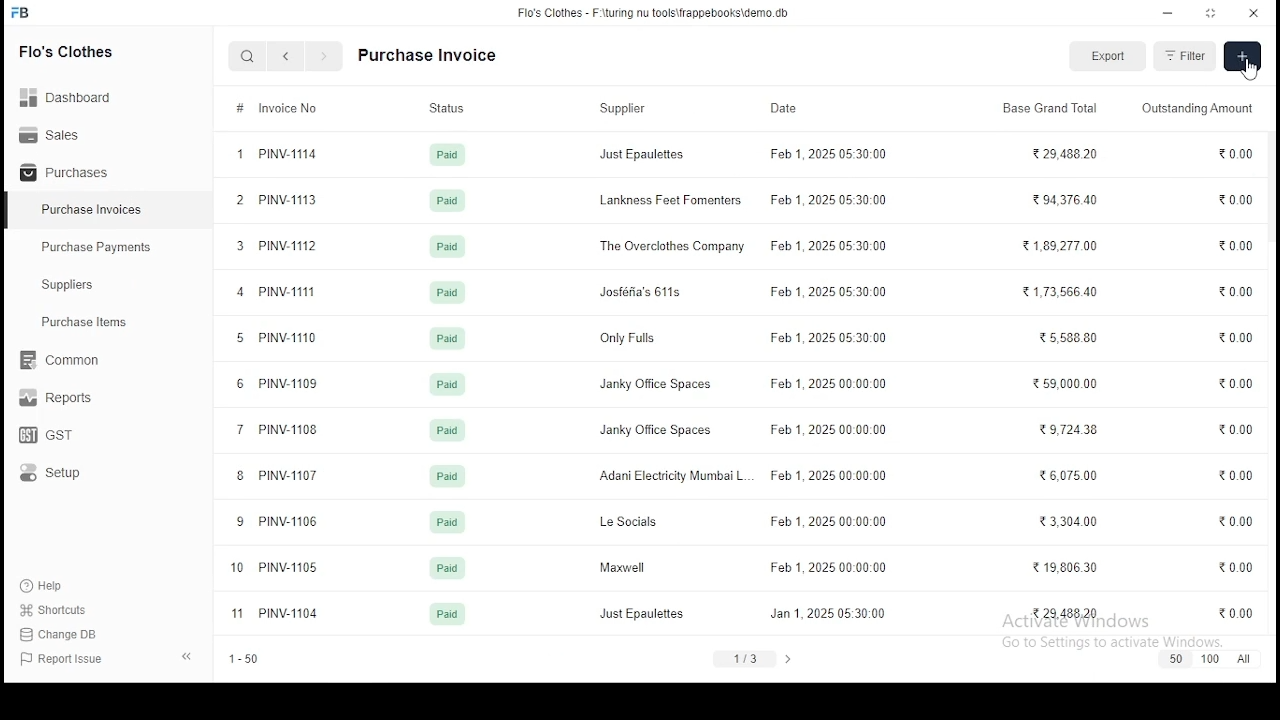 Image resolution: width=1280 pixels, height=720 pixels. What do you see at coordinates (448, 338) in the screenshot?
I see `paid` at bounding box center [448, 338].